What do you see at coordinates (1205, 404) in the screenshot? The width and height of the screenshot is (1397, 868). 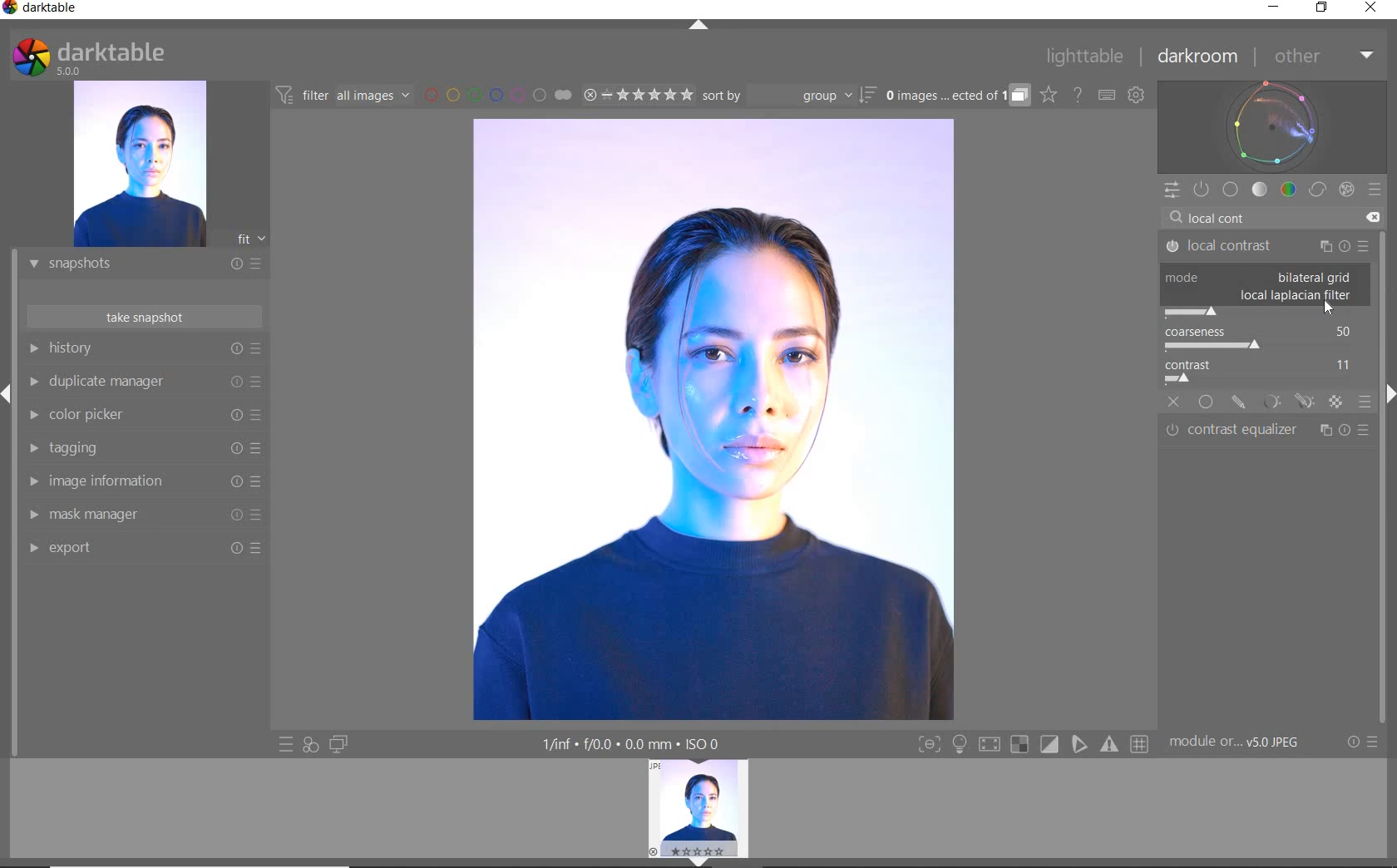 I see `UNIFORMLY` at bounding box center [1205, 404].